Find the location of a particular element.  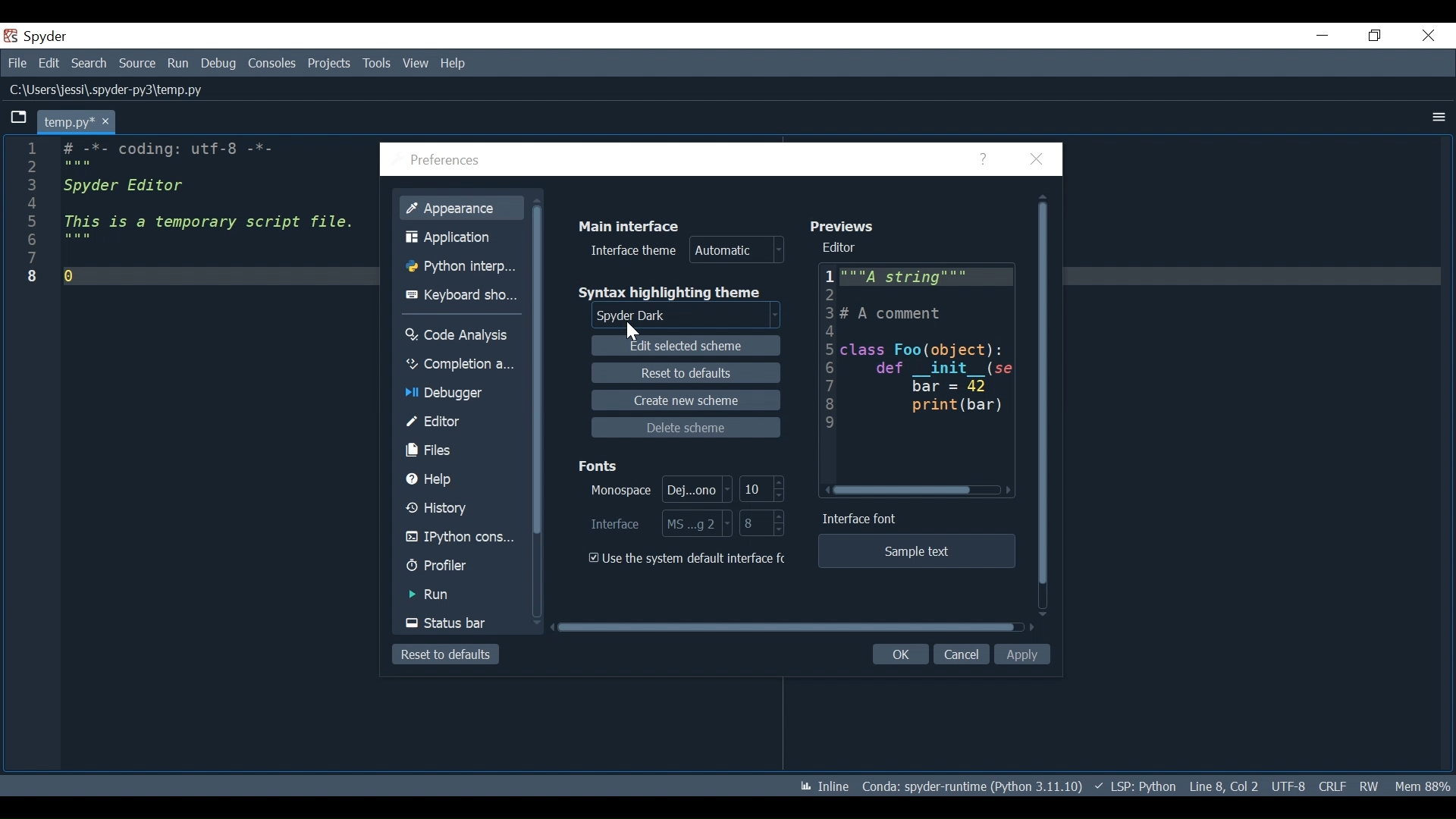

Reset to defaults is located at coordinates (445, 654).